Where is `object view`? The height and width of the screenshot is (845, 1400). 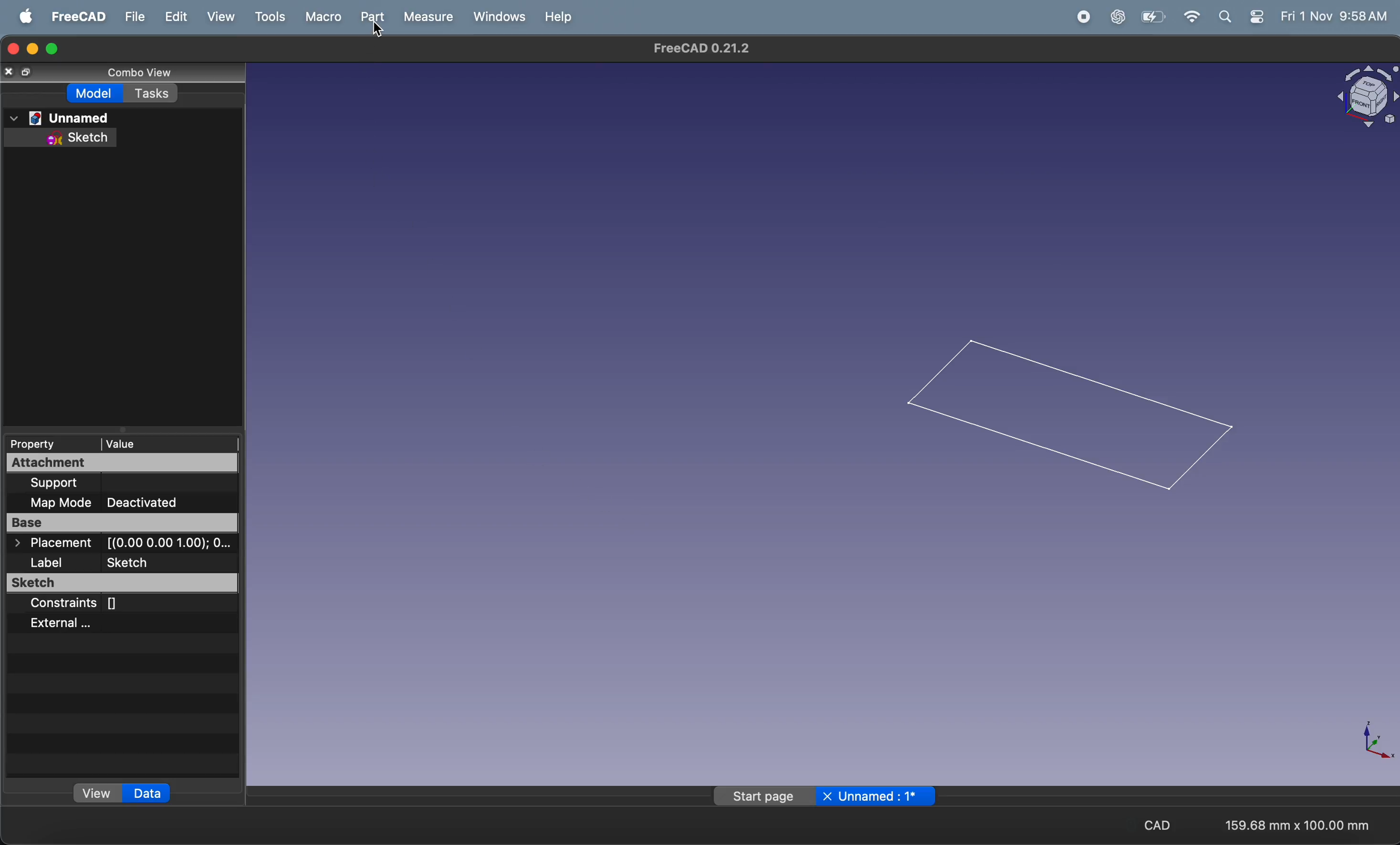 object view is located at coordinates (1357, 97).